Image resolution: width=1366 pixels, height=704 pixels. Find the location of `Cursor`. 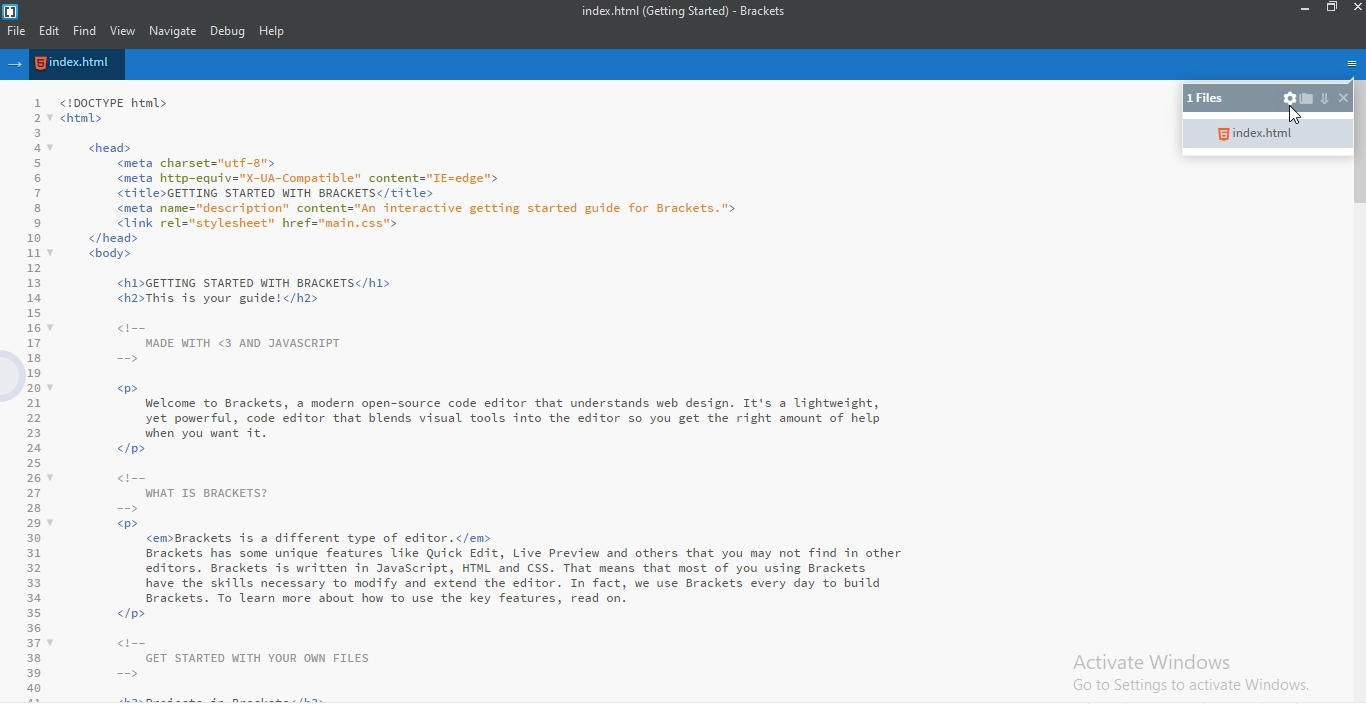

Cursor is located at coordinates (1297, 115).